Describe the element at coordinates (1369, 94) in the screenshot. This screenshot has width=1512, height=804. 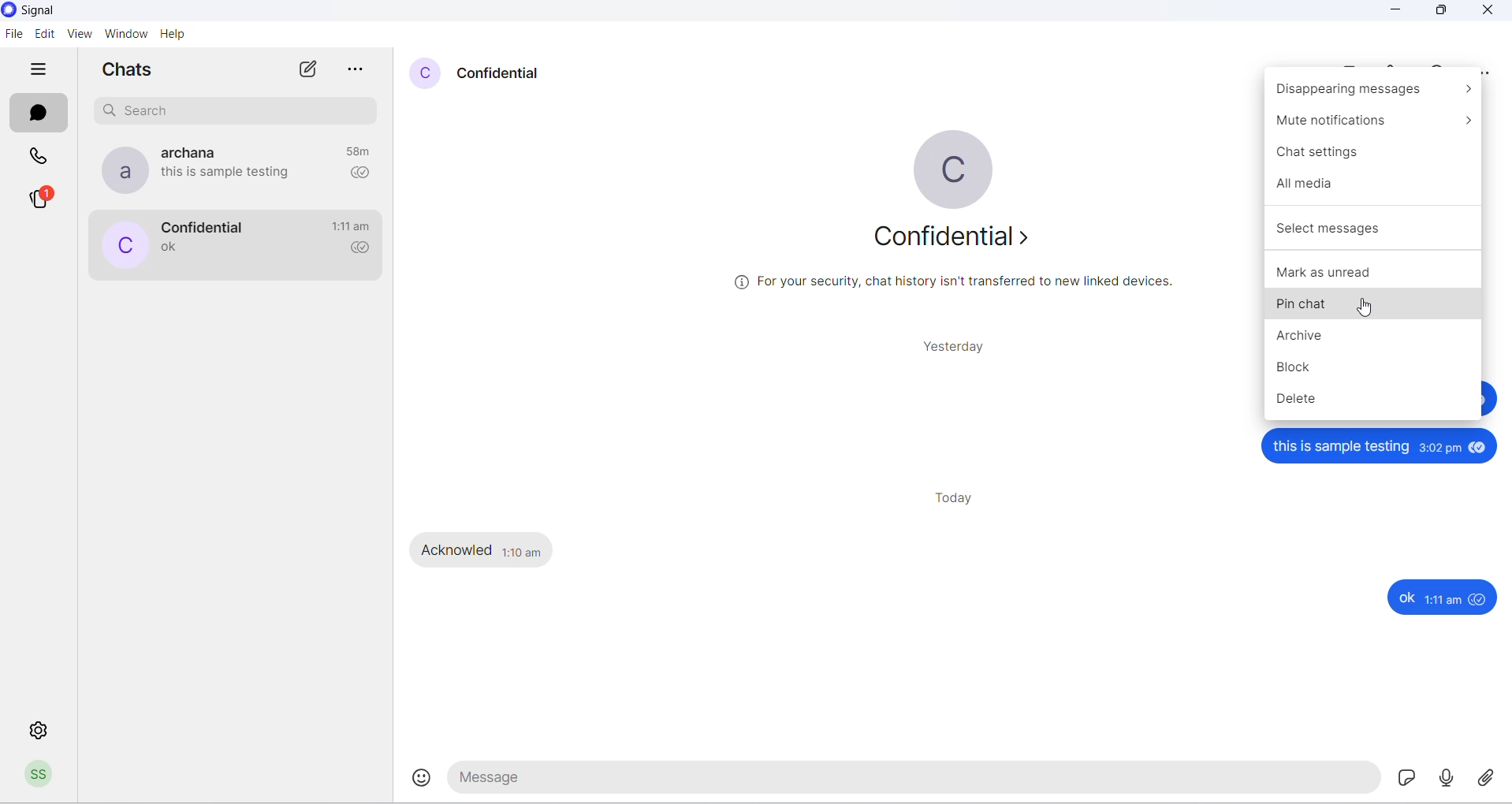
I see `disappearing messages` at that location.